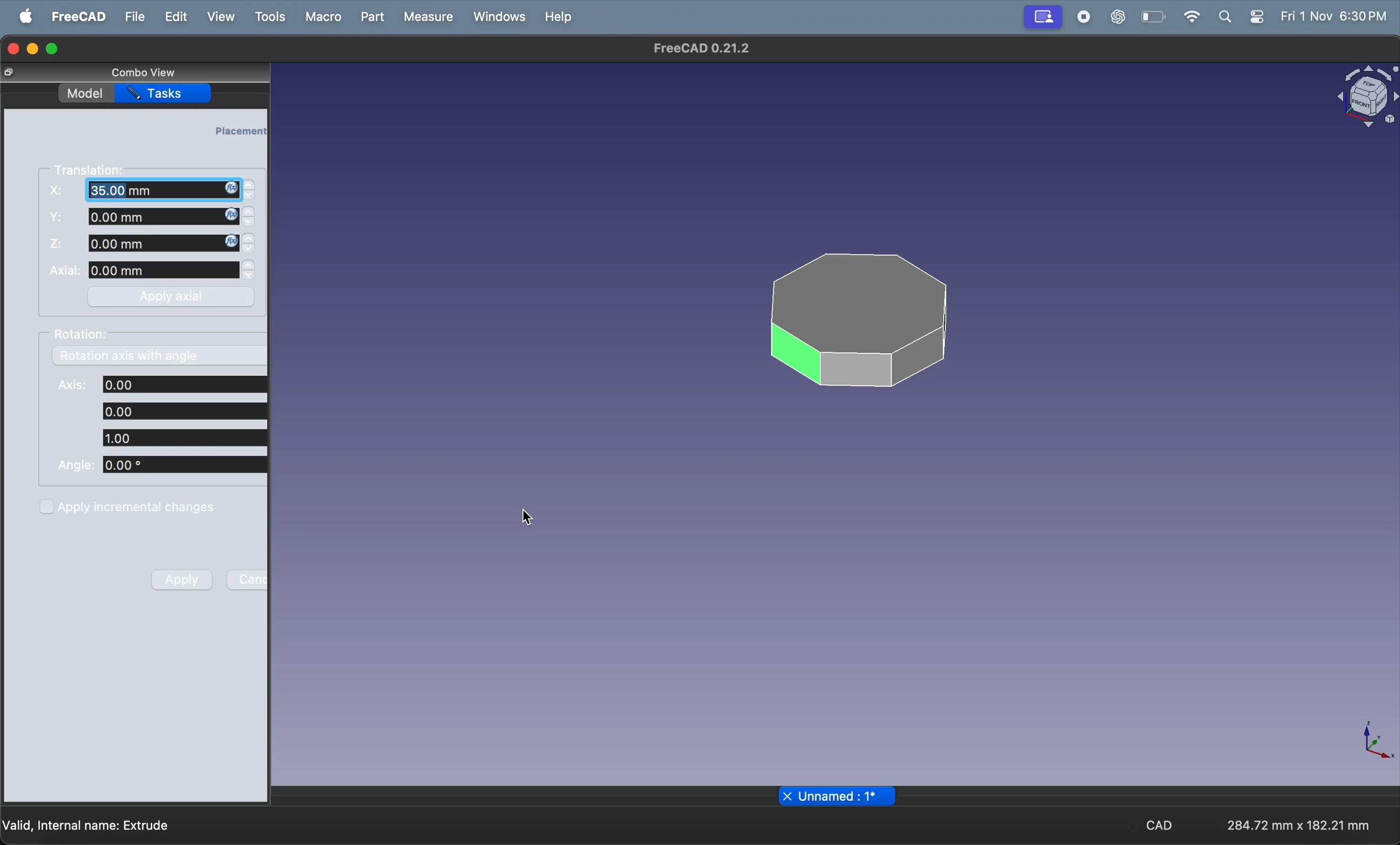 The image size is (1400, 845). I want to click on FreeCAD 0.21.2, so click(701, 50).